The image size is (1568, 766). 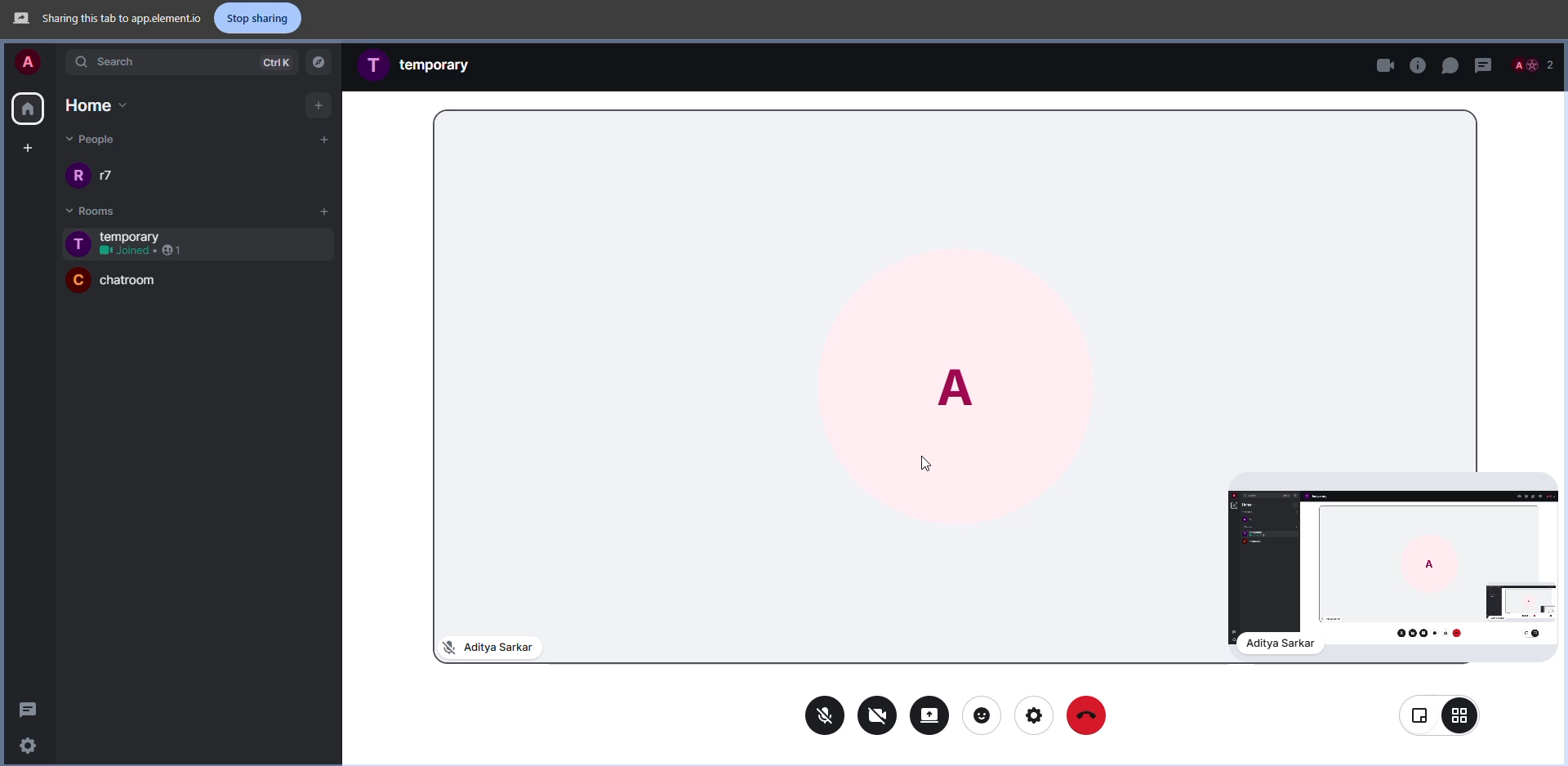 I want to click on threads, so click(x=1484, y=64).